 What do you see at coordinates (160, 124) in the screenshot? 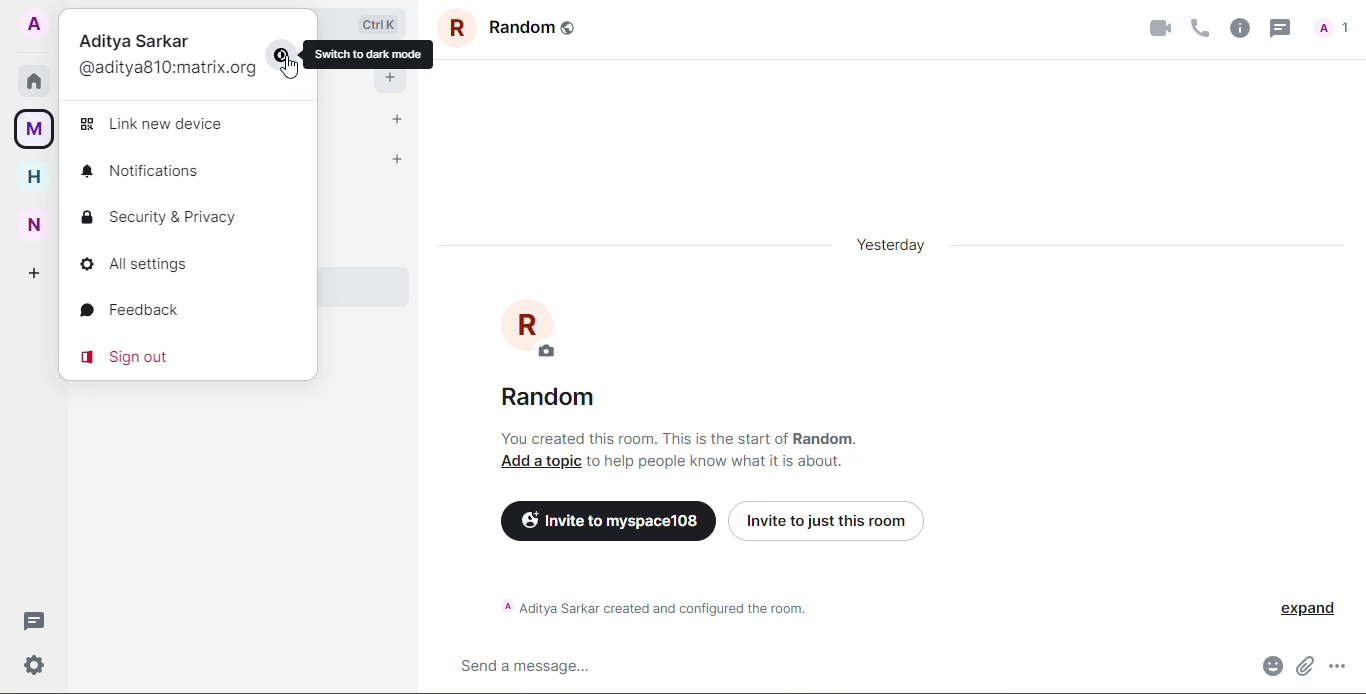
I see `link new device` at bounding box center [160, 124].